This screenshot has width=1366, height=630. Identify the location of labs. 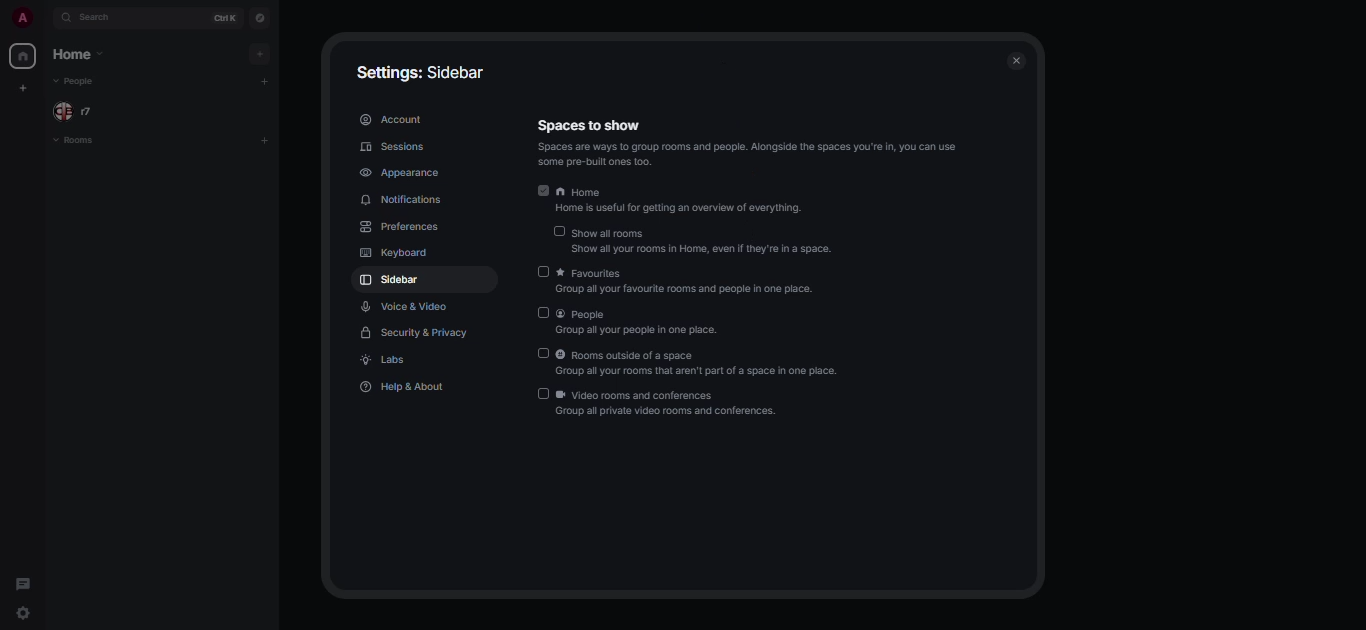
(385, 361).